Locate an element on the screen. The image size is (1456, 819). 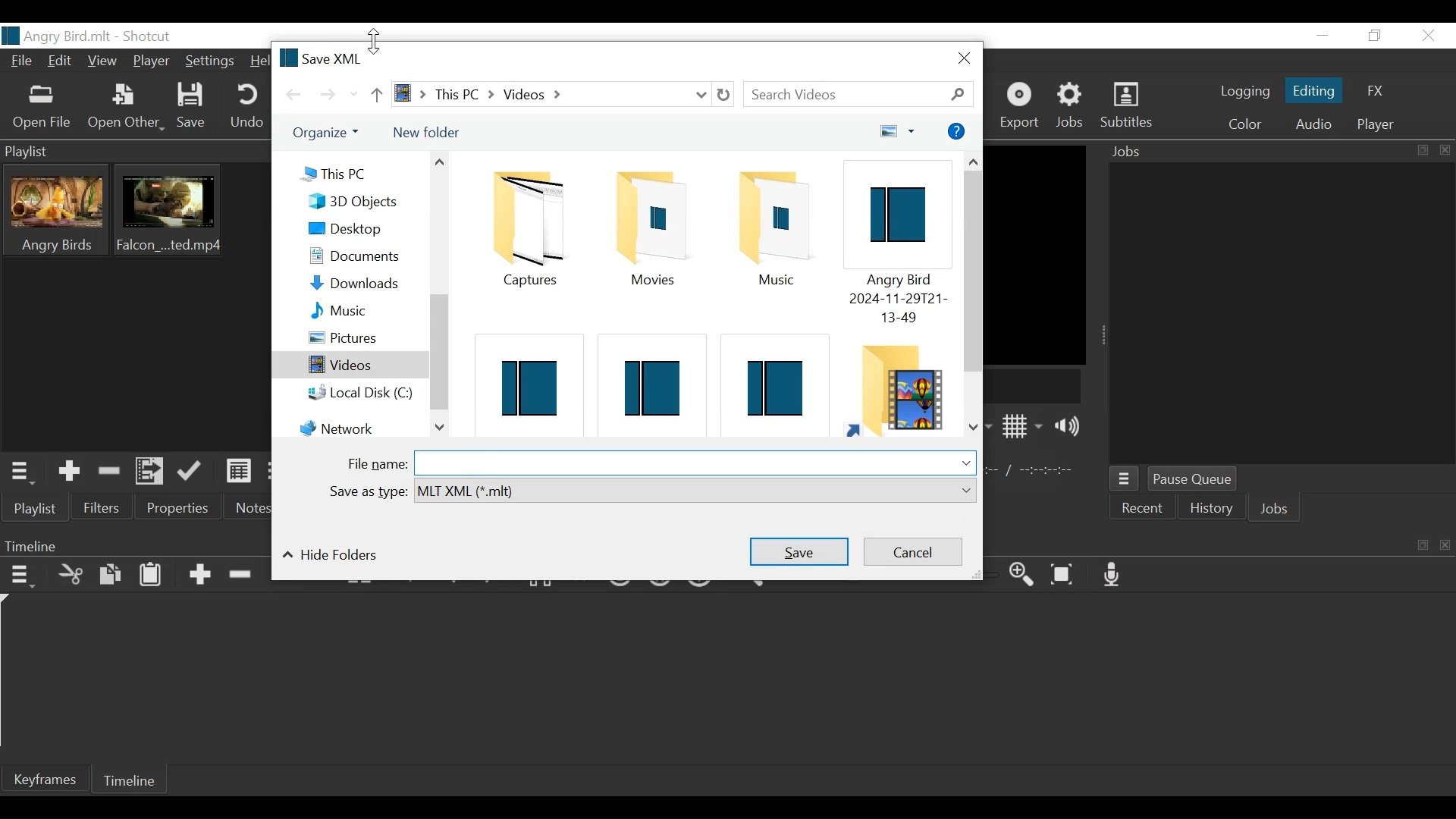
Music is located at coordinates (366, 310).